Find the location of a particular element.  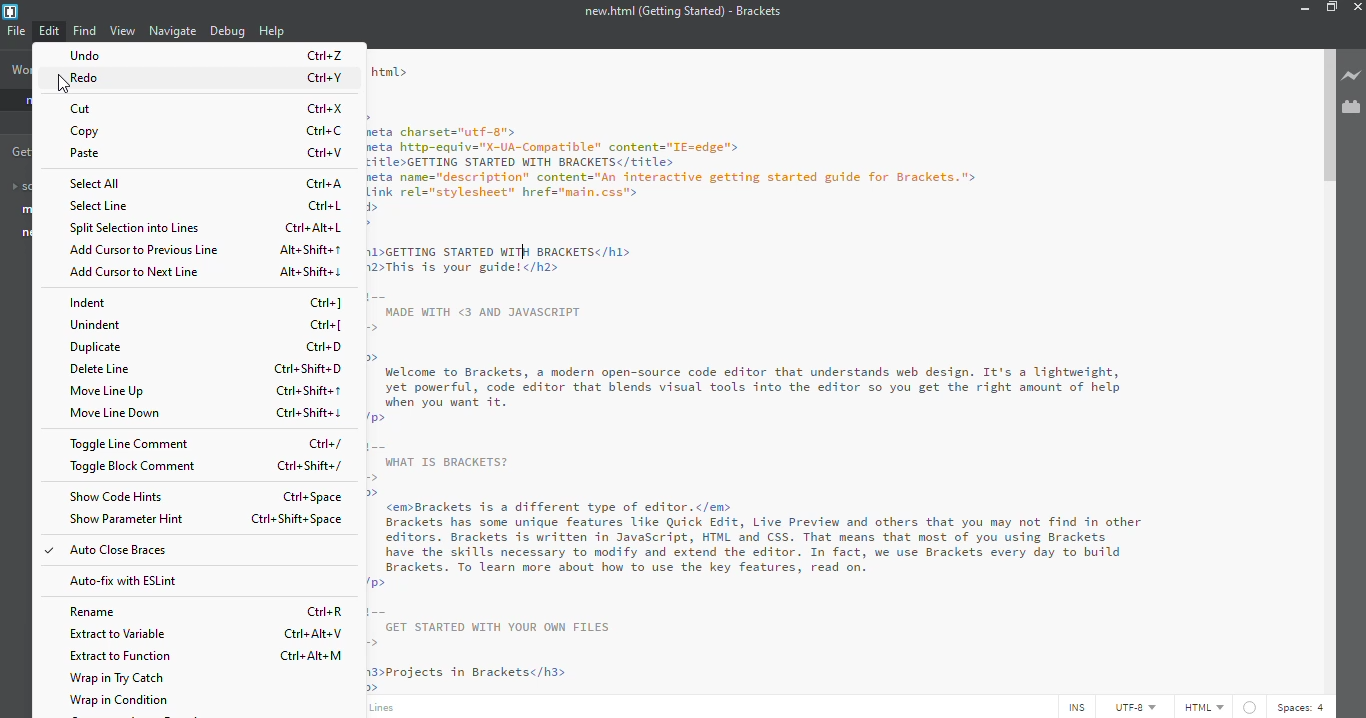

ctrl+shift+up arrow is located at coordinates (309, 390).